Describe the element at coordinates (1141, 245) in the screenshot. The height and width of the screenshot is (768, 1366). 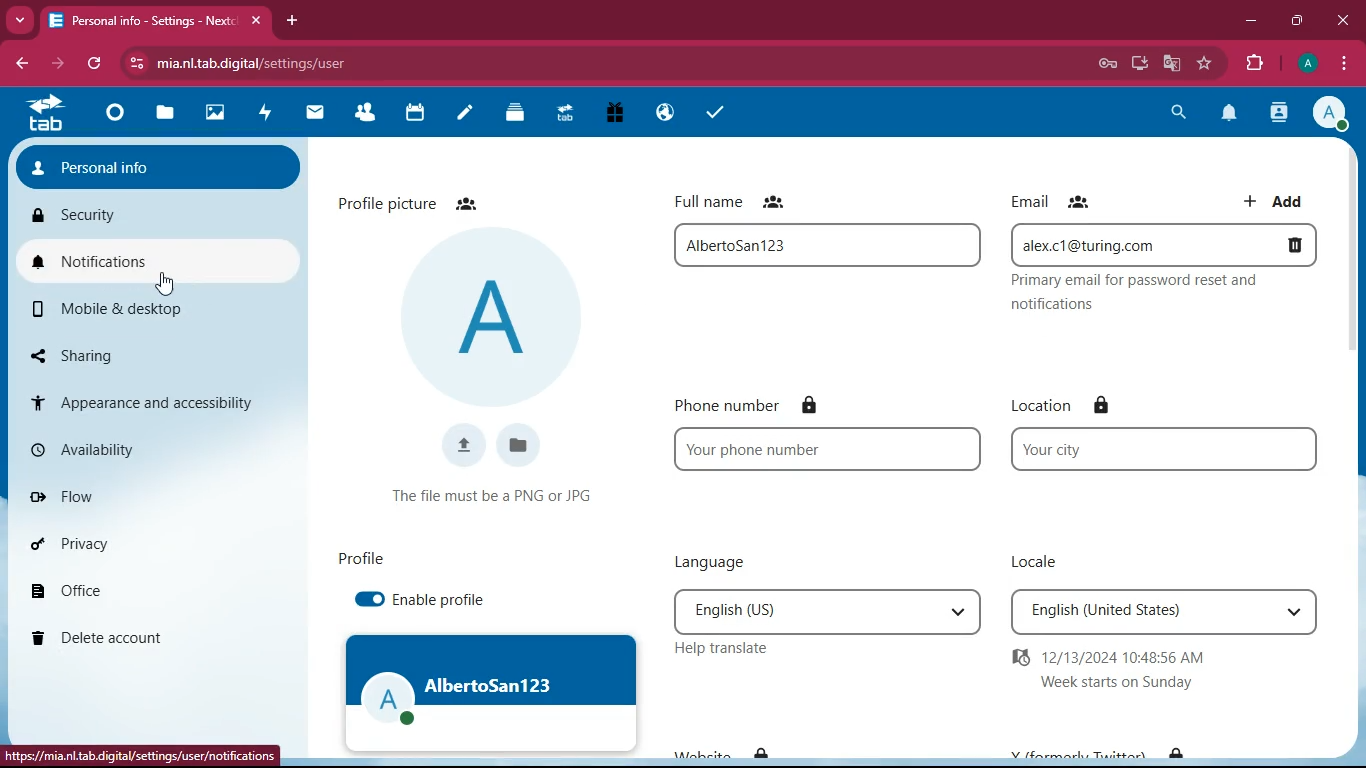
I see `alex.c1@turning.com` at that location.